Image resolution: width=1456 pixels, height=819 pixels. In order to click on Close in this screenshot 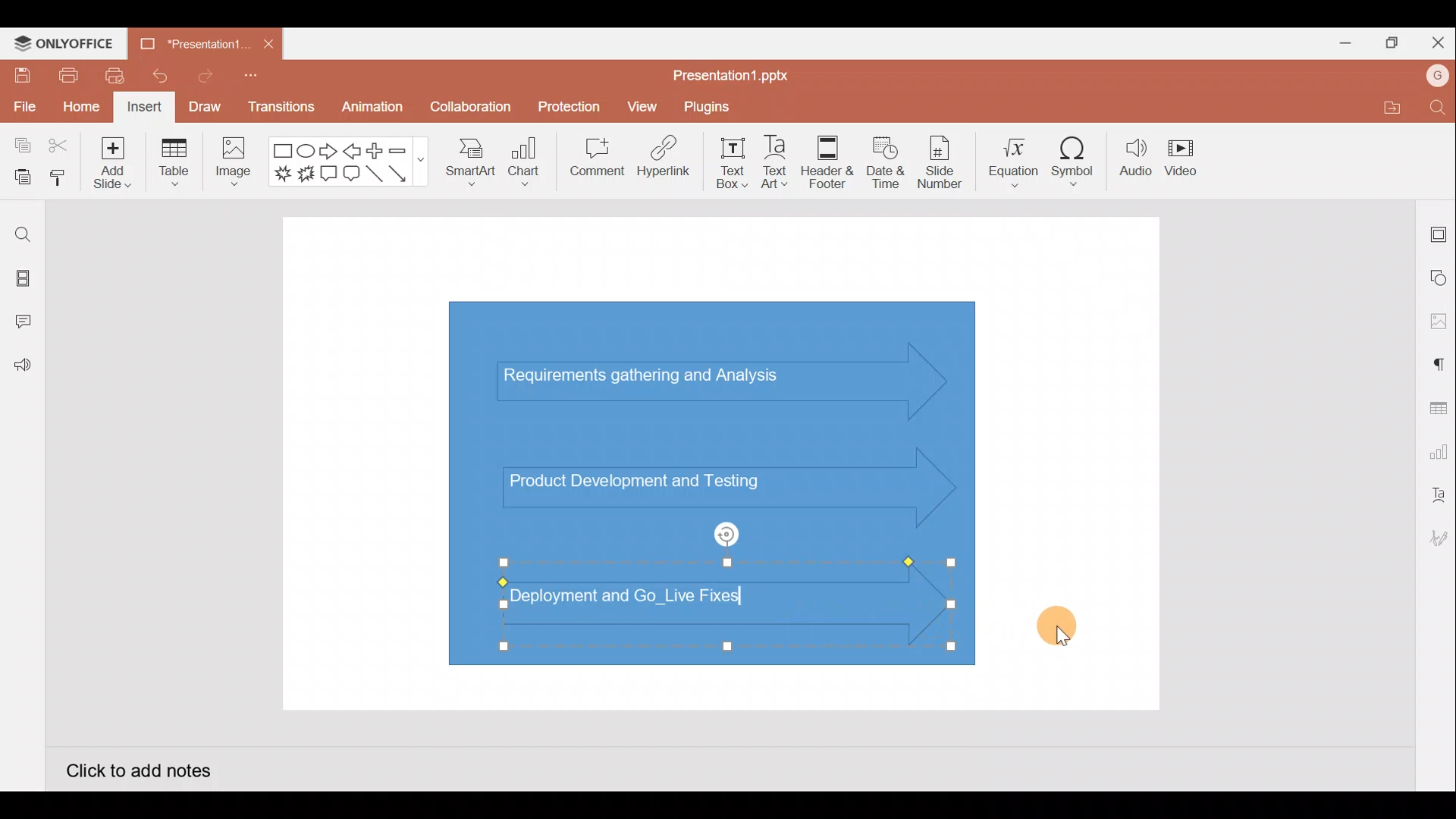, I will do `click(1435, 39)`.